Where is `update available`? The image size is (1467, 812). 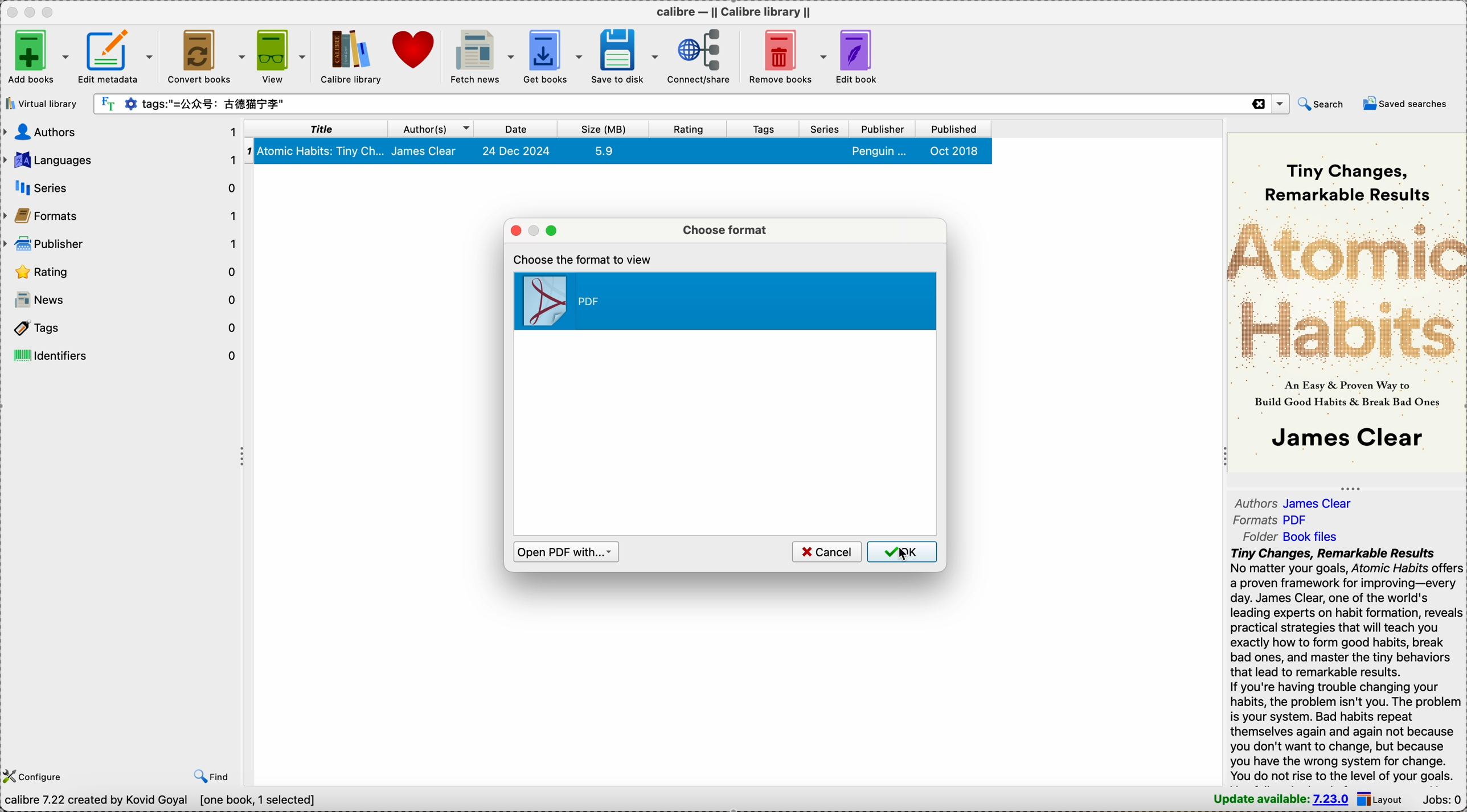
update available is located at coordinates (1280, 799).